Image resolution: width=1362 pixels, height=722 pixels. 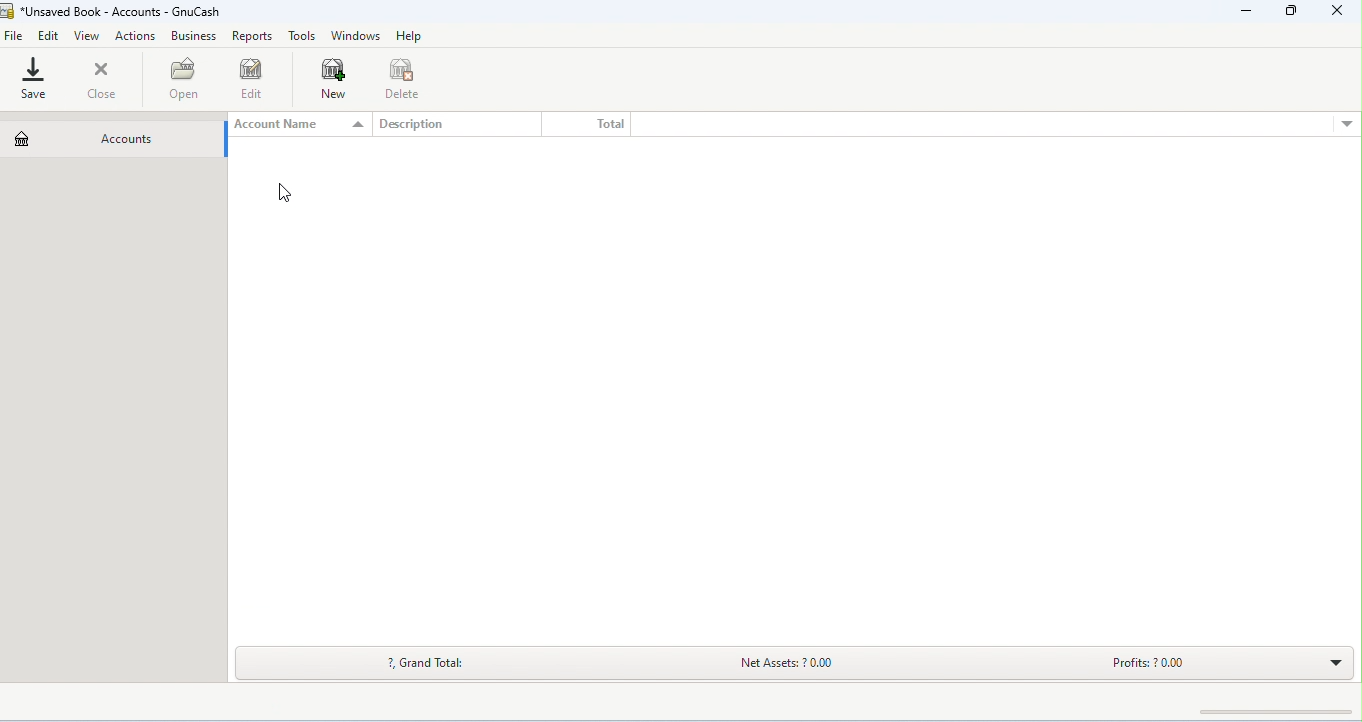 What do you see at coordinates (187, 78) in the screenshot?
I see `open` at bounding box center [187, 78].